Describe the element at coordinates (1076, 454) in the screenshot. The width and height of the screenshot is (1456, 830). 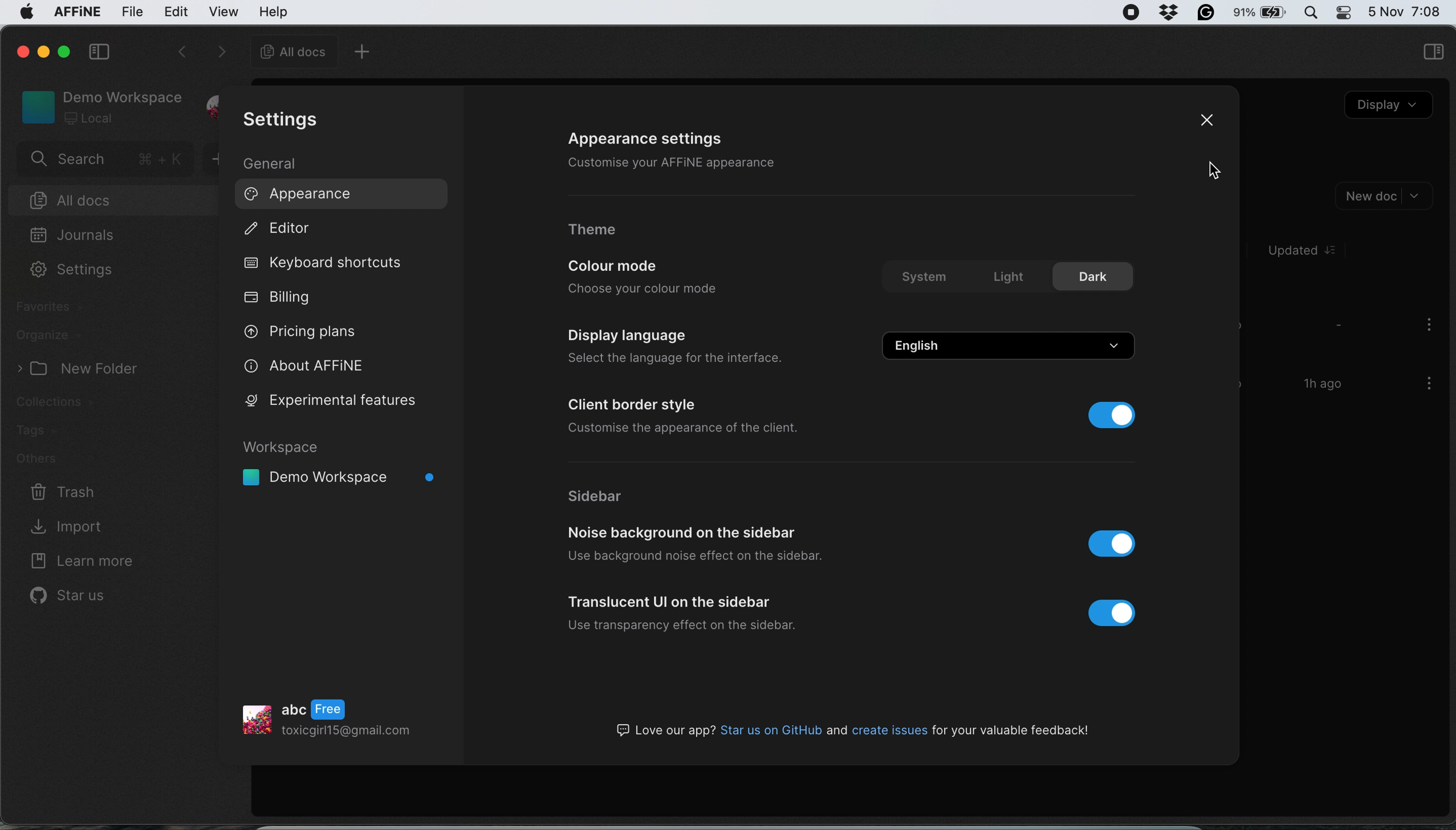
I see `change password` at that location.